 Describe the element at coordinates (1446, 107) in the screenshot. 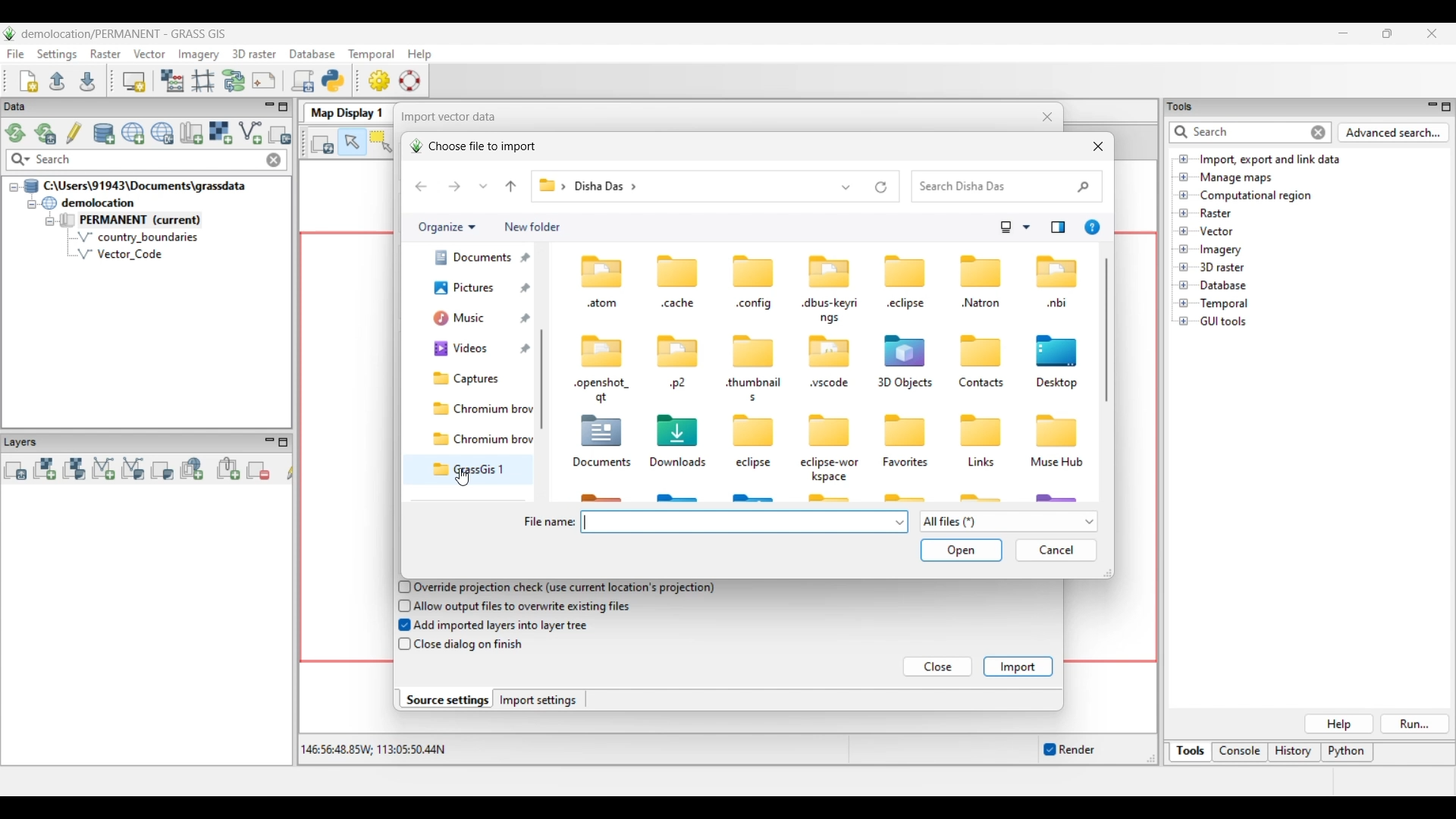

I see `Maximize Tools panel` at that location.